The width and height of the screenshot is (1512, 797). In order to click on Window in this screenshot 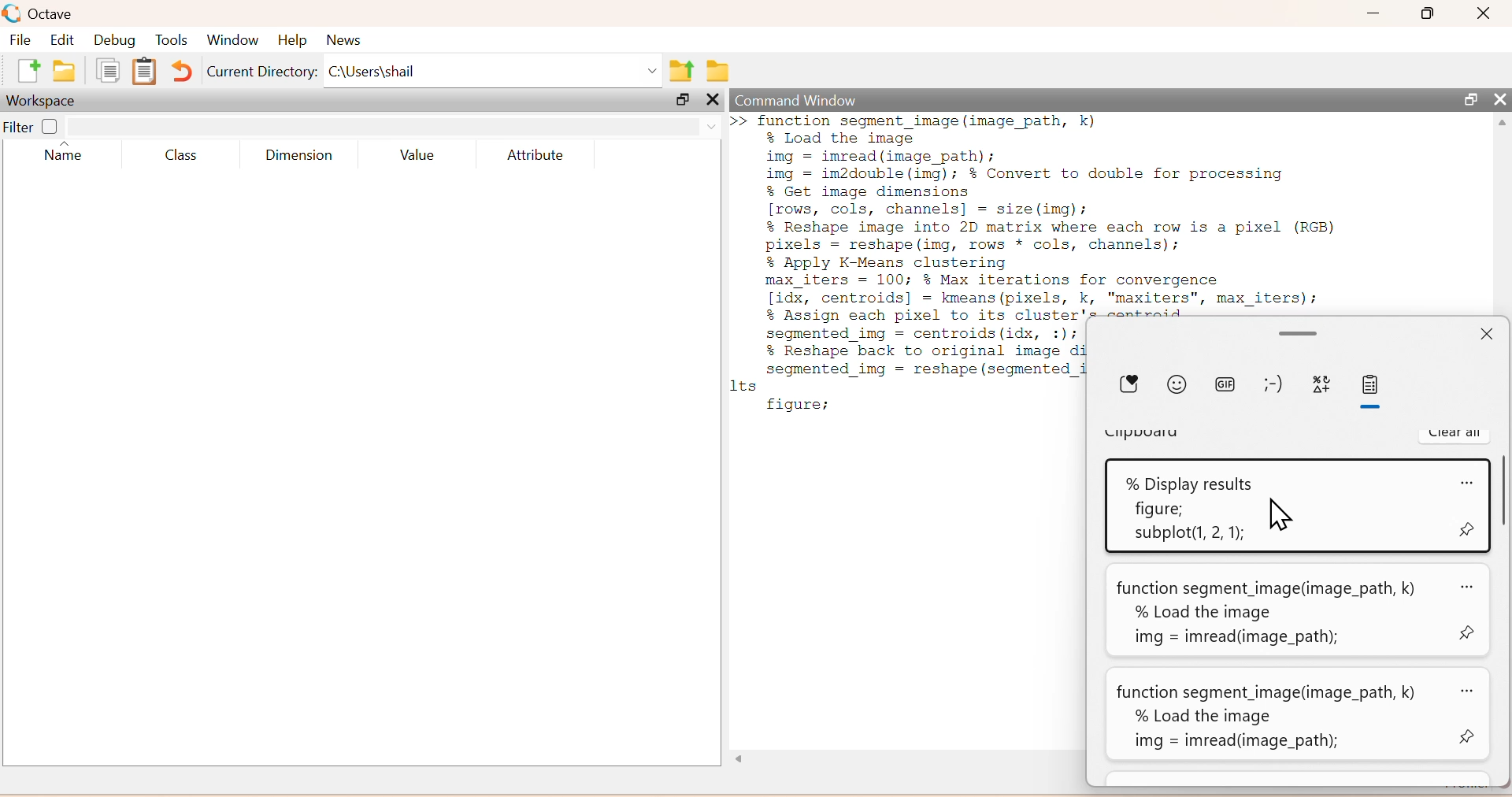, I will do `click(229, 42)`.